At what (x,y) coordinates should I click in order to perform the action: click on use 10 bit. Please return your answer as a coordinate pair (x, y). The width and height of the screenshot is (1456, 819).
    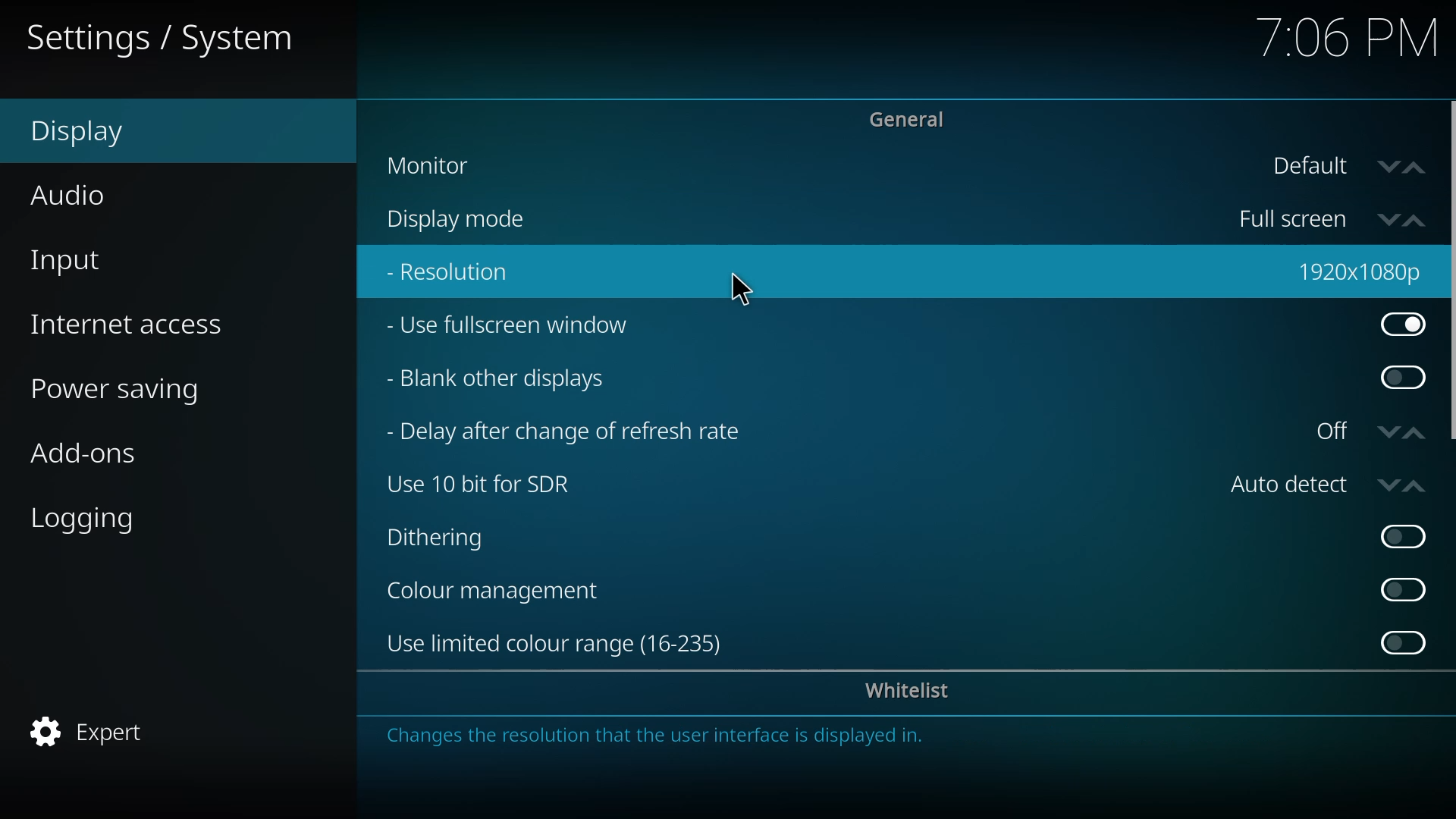
    Looking at the image, I should click on (483, 483).